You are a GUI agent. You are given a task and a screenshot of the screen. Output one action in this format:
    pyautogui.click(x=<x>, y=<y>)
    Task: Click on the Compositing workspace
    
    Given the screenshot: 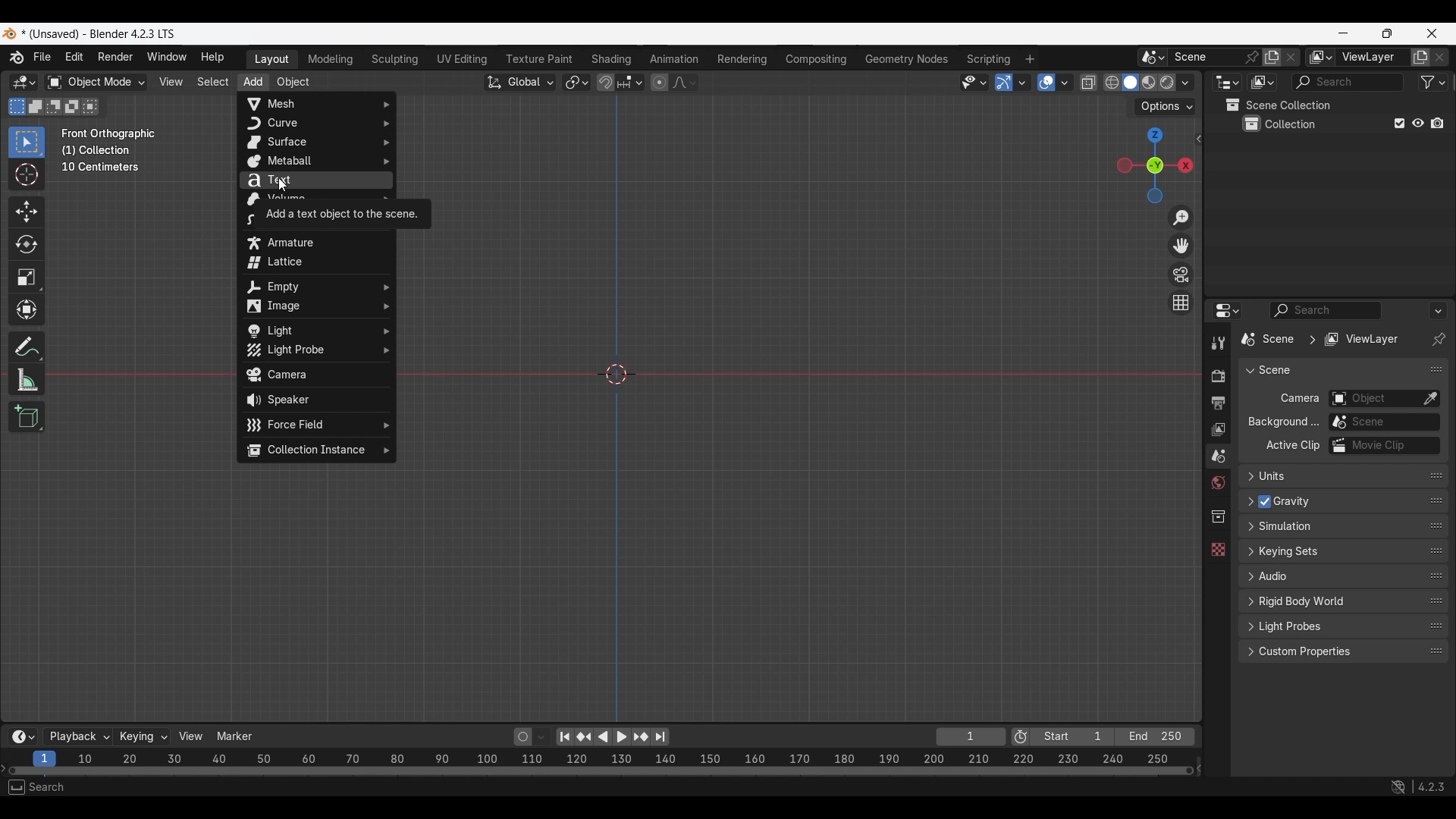 What is the action you would take?
    pyautogui.click(x=817, y=59)
    